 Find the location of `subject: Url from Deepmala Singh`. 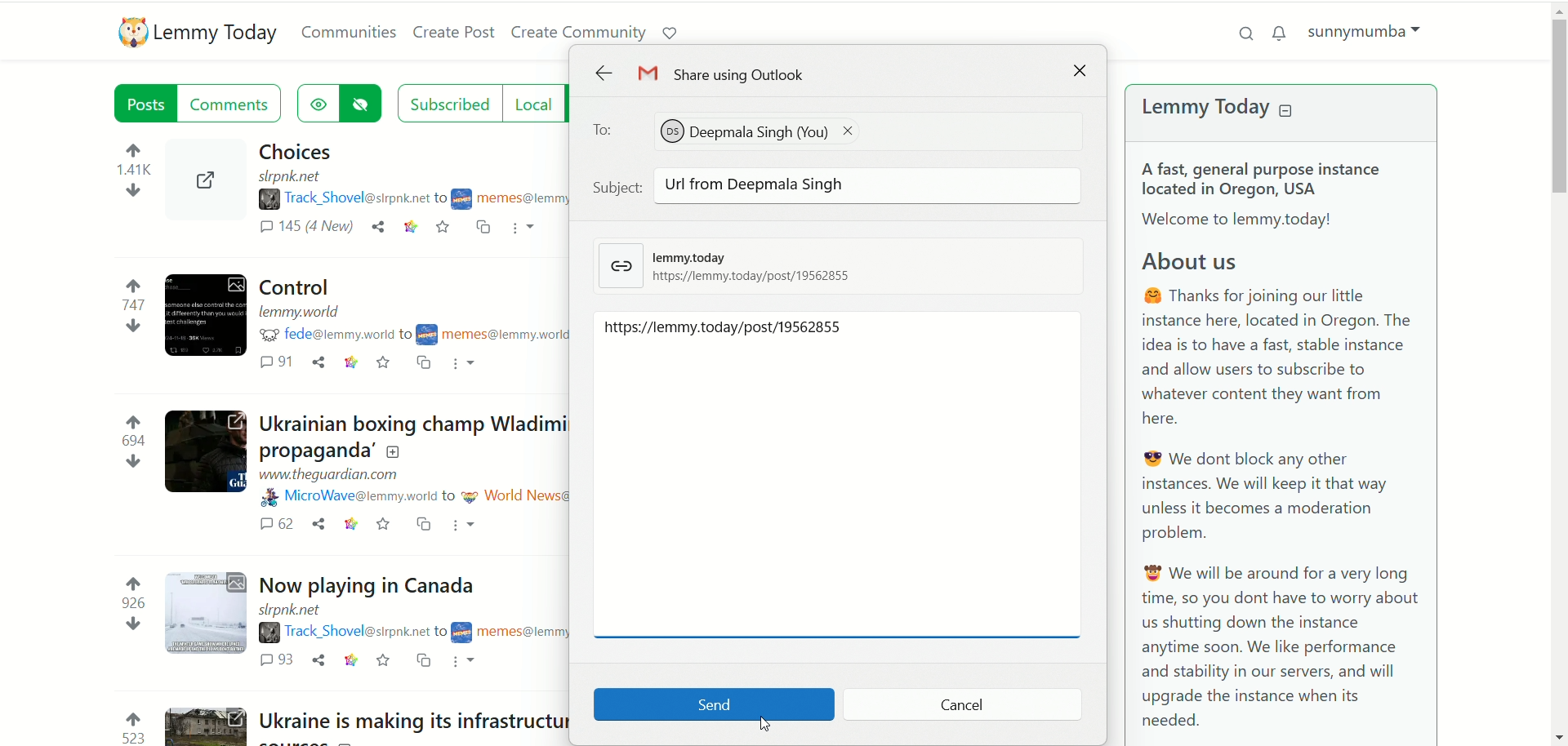

subject: Url from Deepmala Singh is located at coordinates (842, 186).